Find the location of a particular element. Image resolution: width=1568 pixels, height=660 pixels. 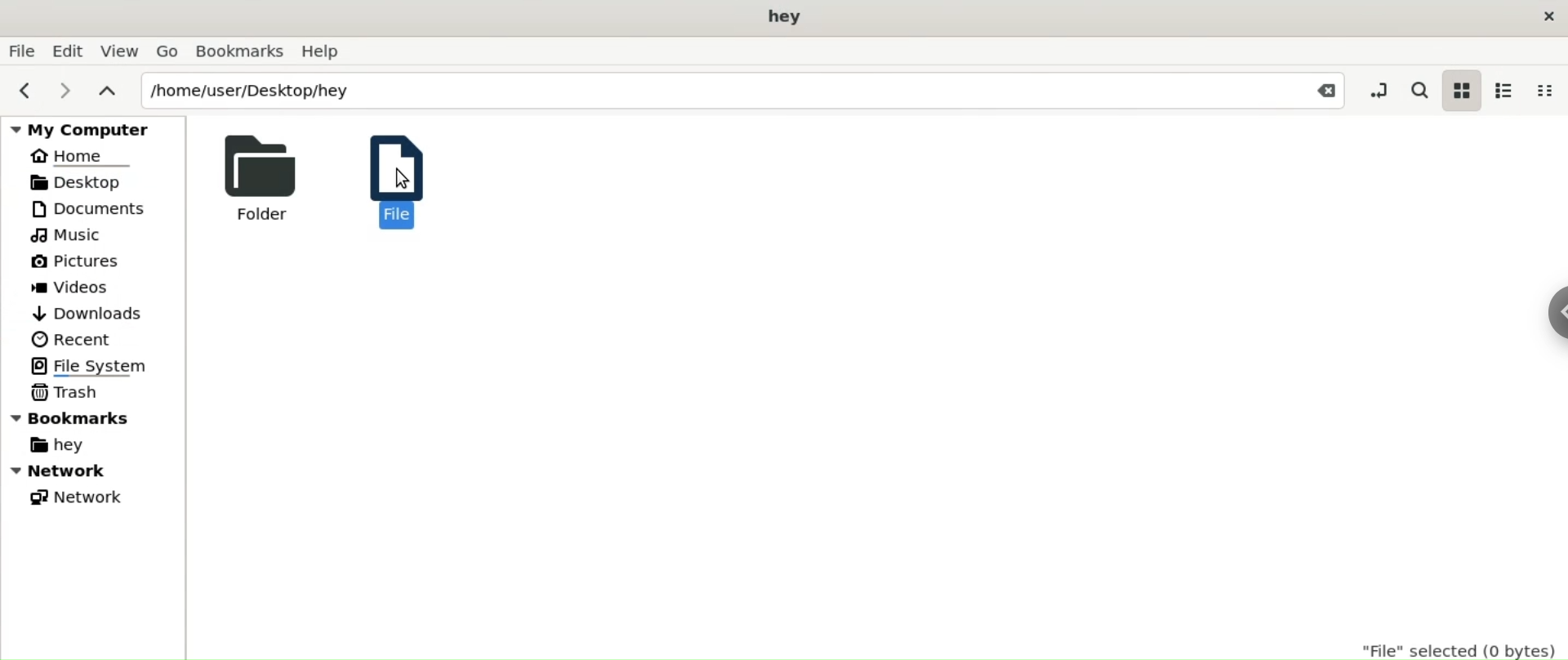

close is located at coordinates (1545, 16).